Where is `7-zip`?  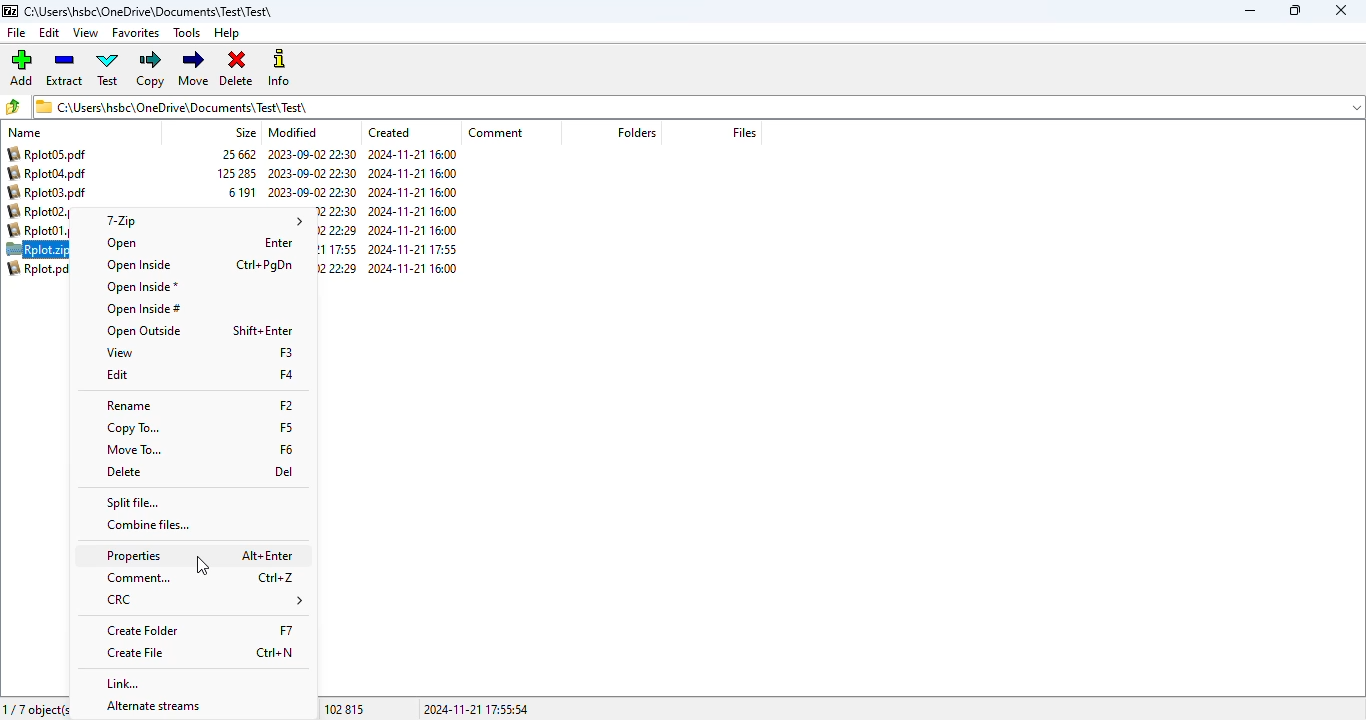 7-zip is located at coordinates (201, 220).